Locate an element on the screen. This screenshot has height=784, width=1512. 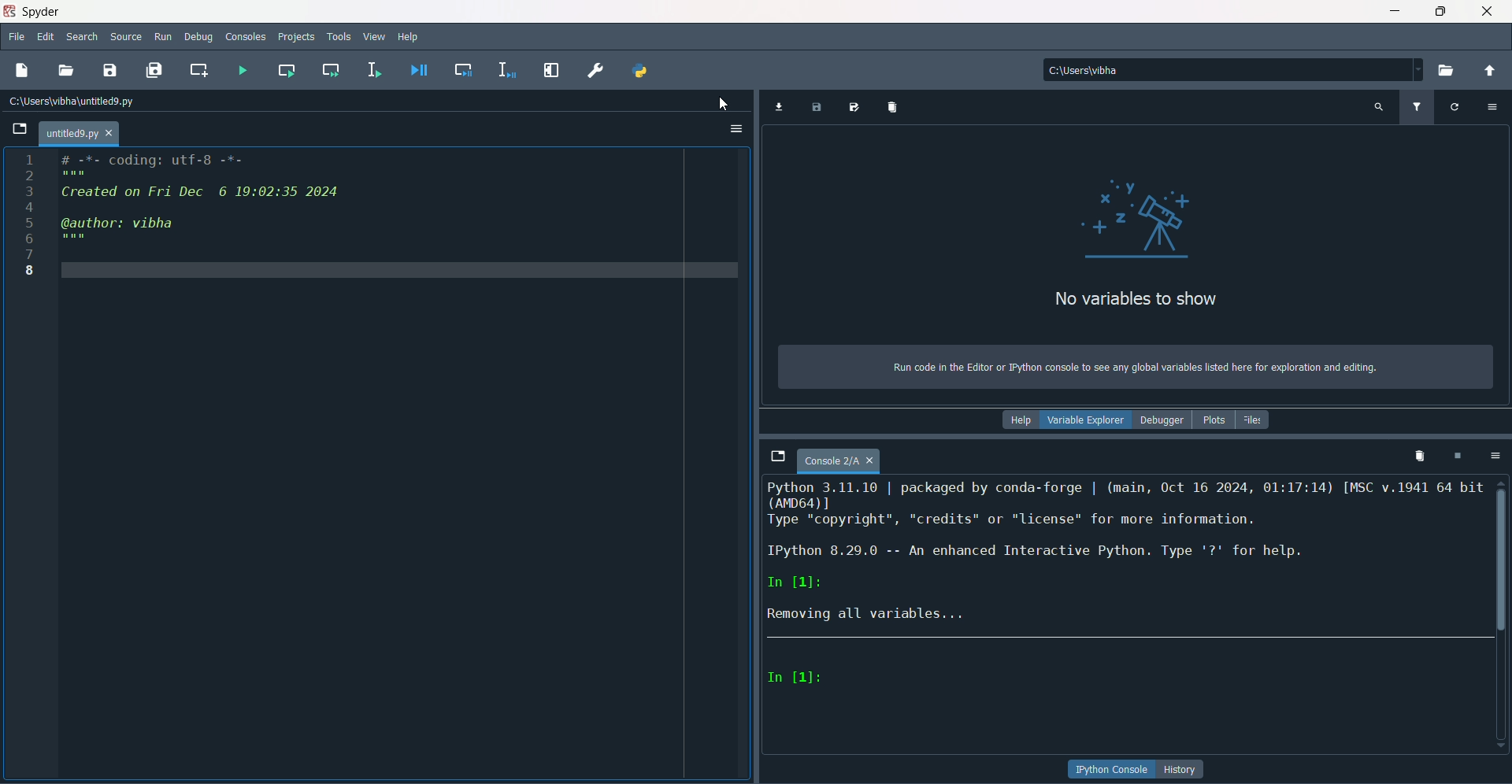
open file is located at coordinates (67, 71).